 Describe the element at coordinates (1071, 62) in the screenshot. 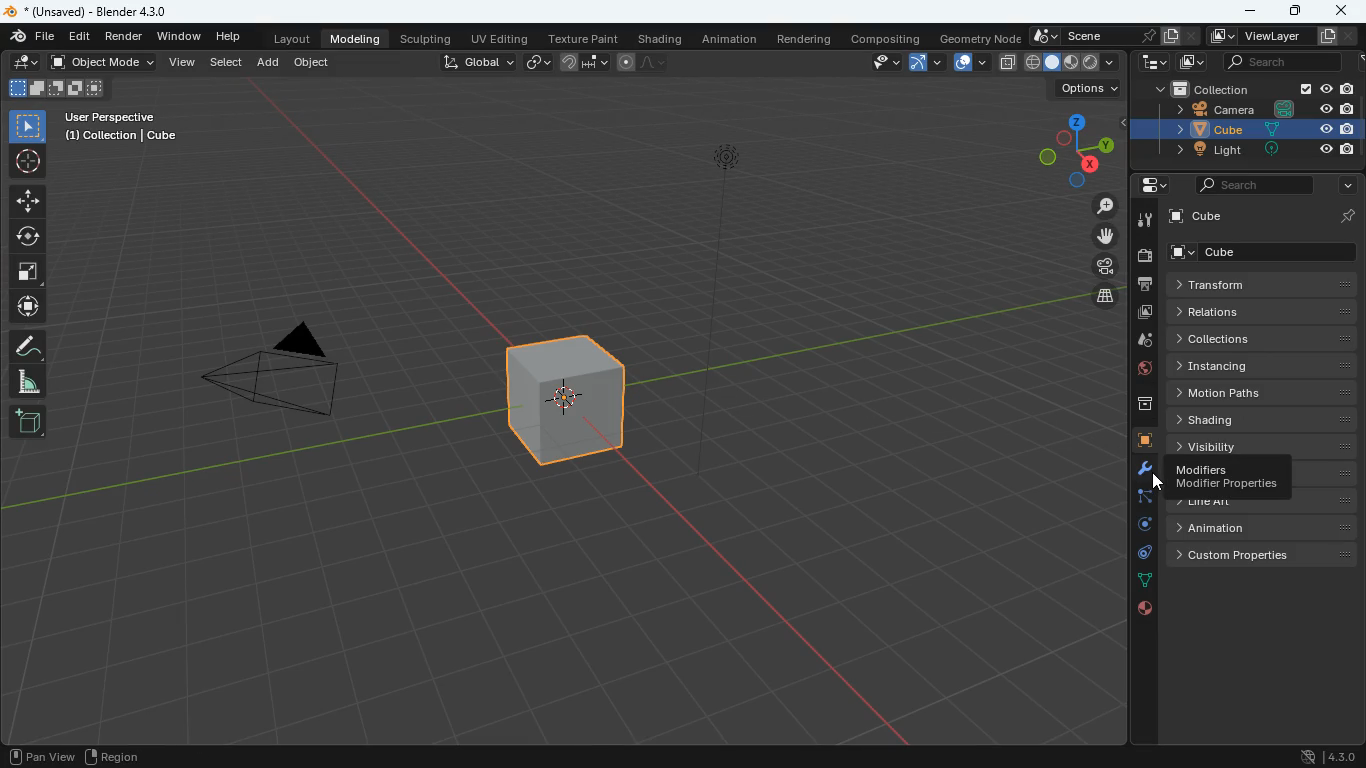

I see `type` at that location.